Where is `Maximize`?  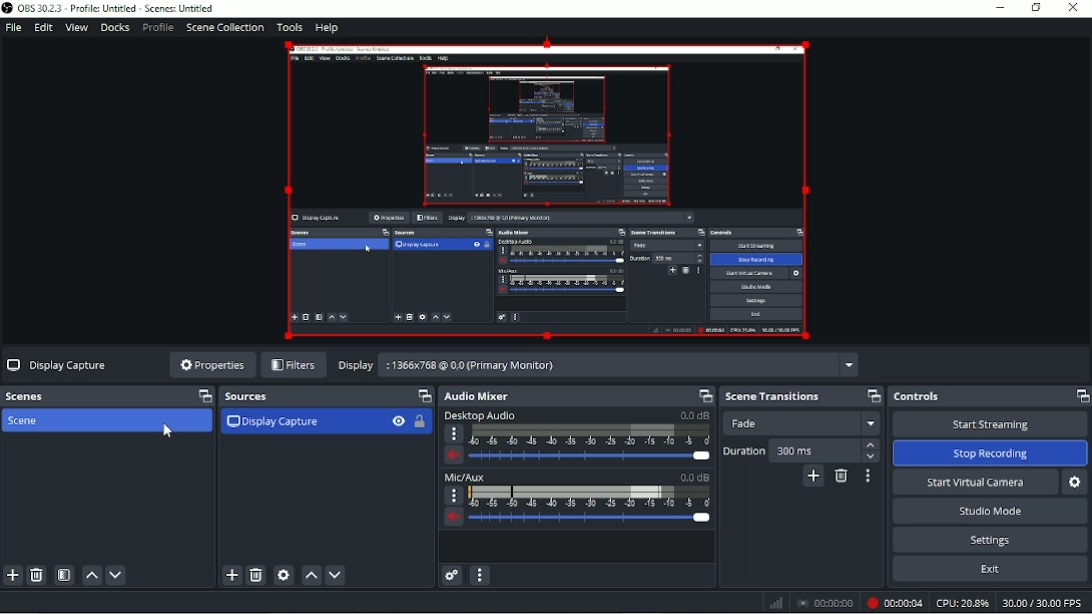
Maximize is located at coordinates (874, 394).